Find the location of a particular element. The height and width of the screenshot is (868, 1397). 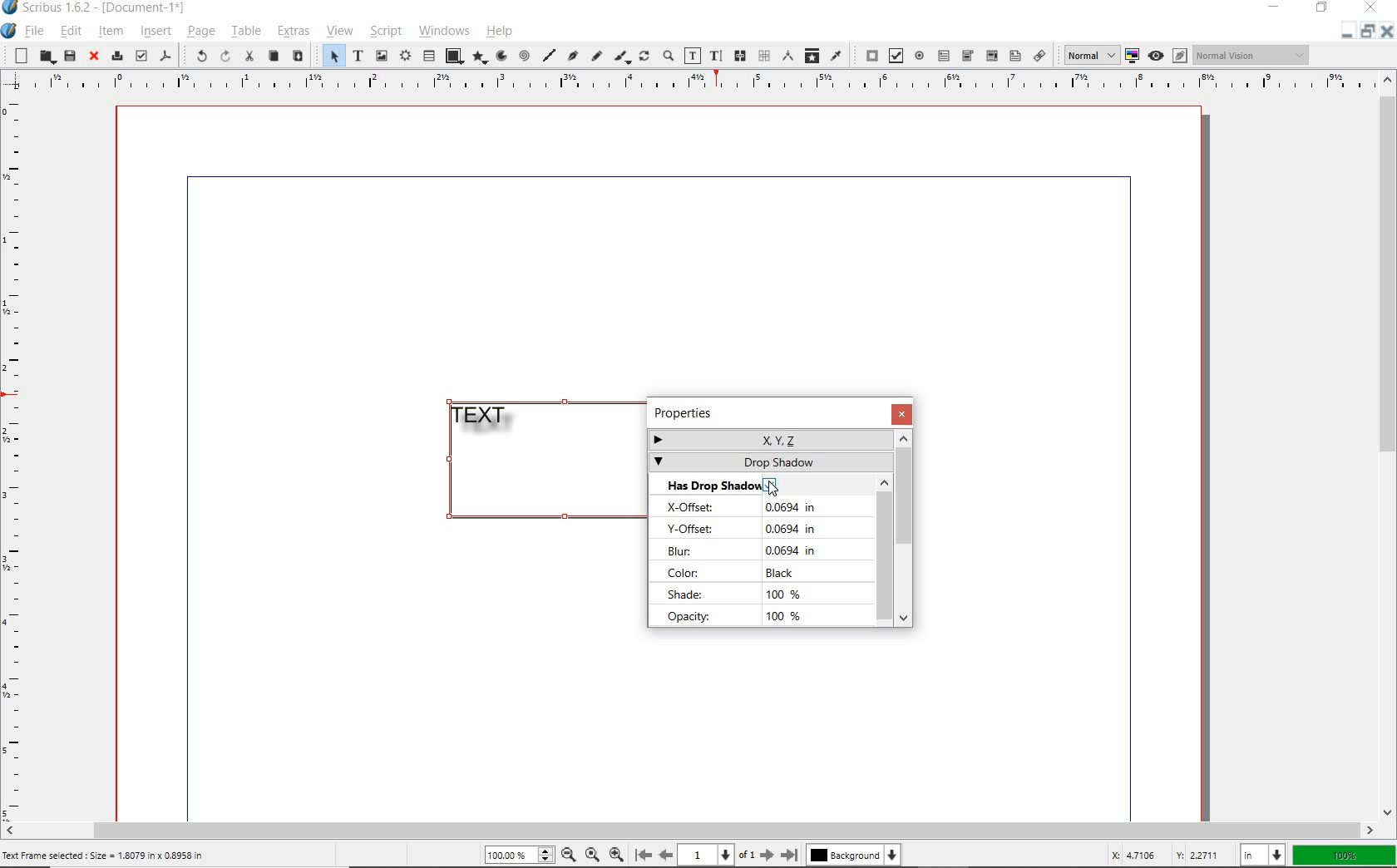

shape is located at coordinates (453, 55).